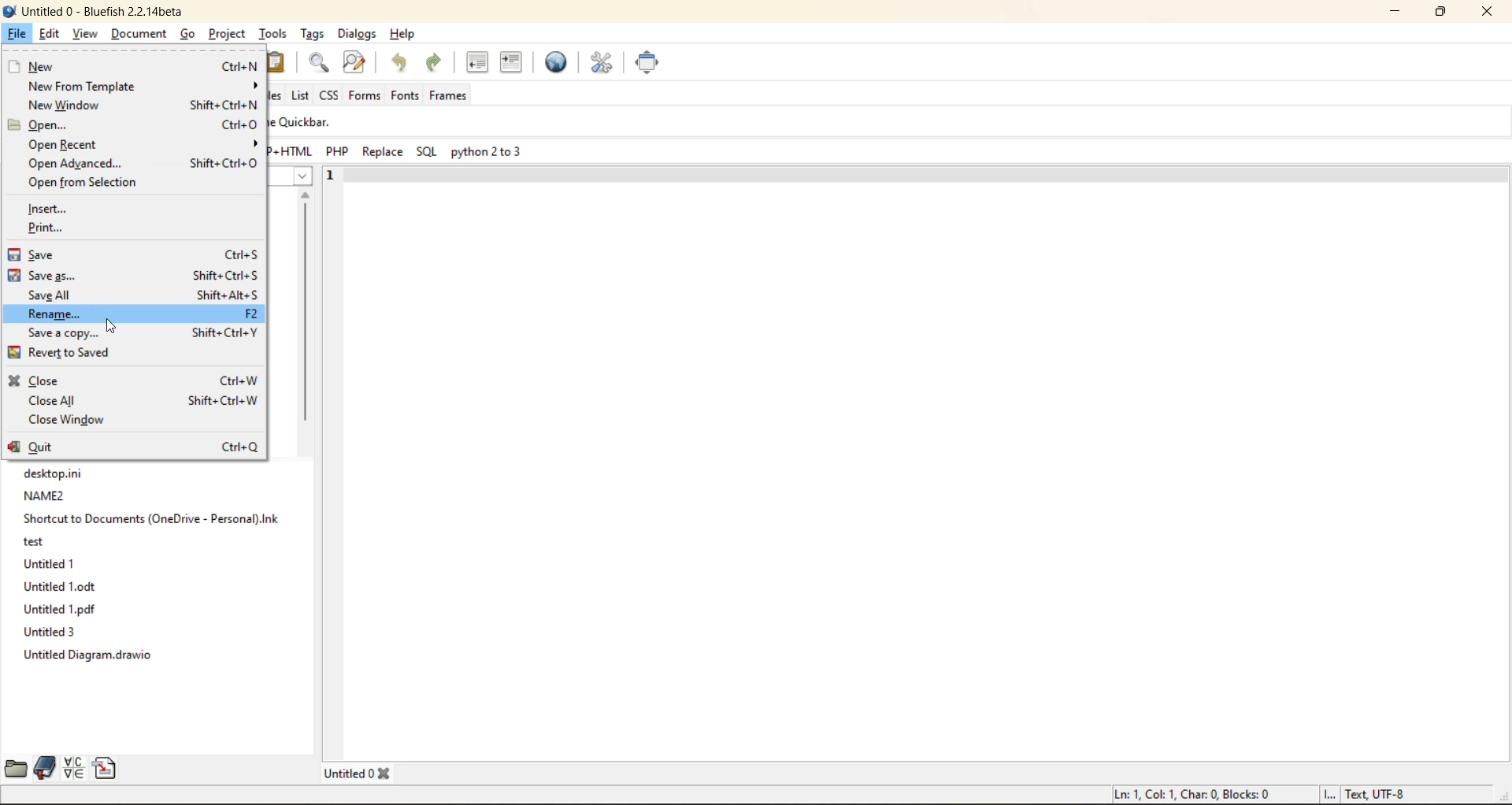 The height and width of the screenshot is (805, 1512). I want to click on NAME2, so click(50, 496).